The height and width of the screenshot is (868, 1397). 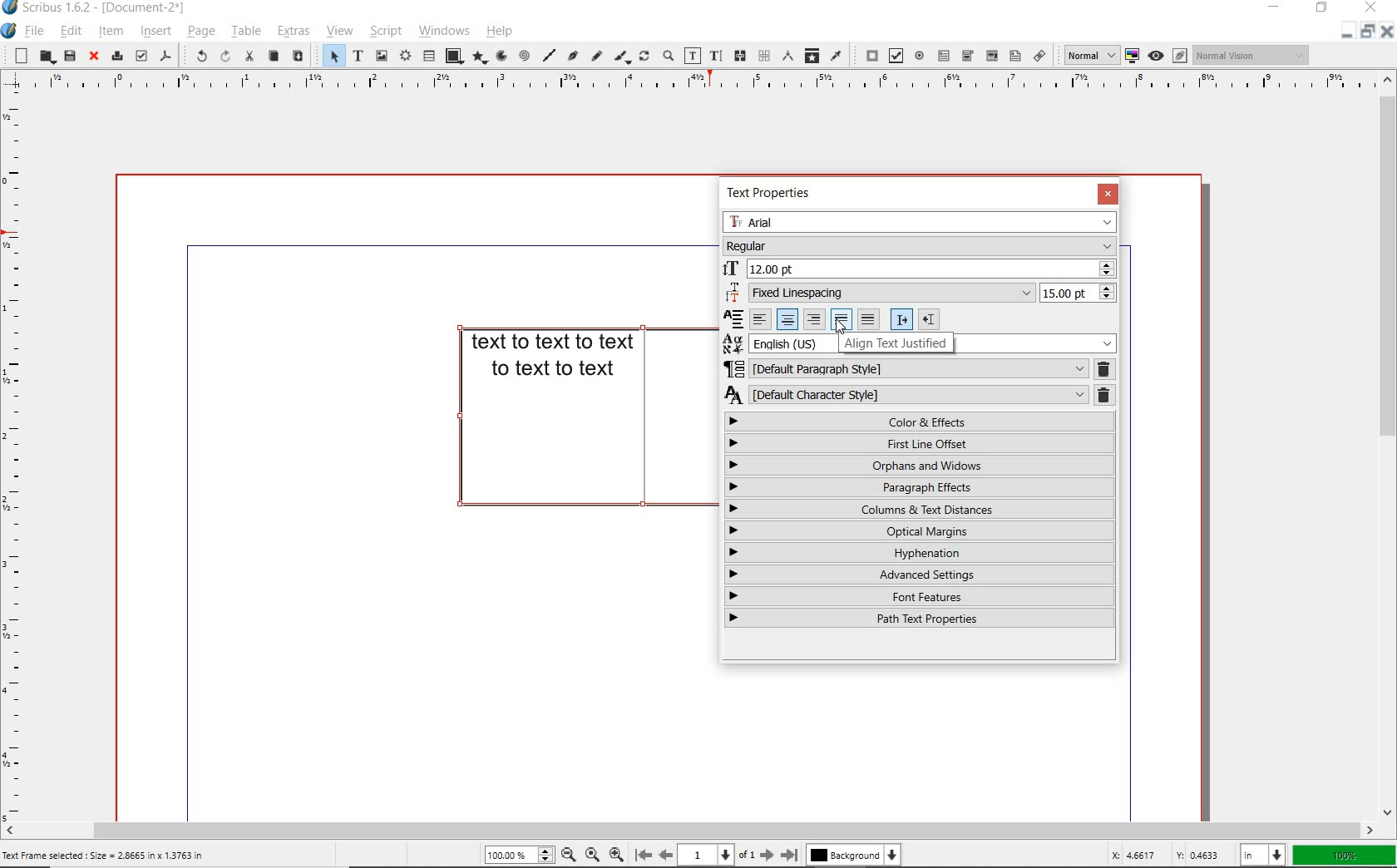 What do you see at coordinates (643, 57) in the screenshot?
I see `rotate item` at bounding box center [643, 57].